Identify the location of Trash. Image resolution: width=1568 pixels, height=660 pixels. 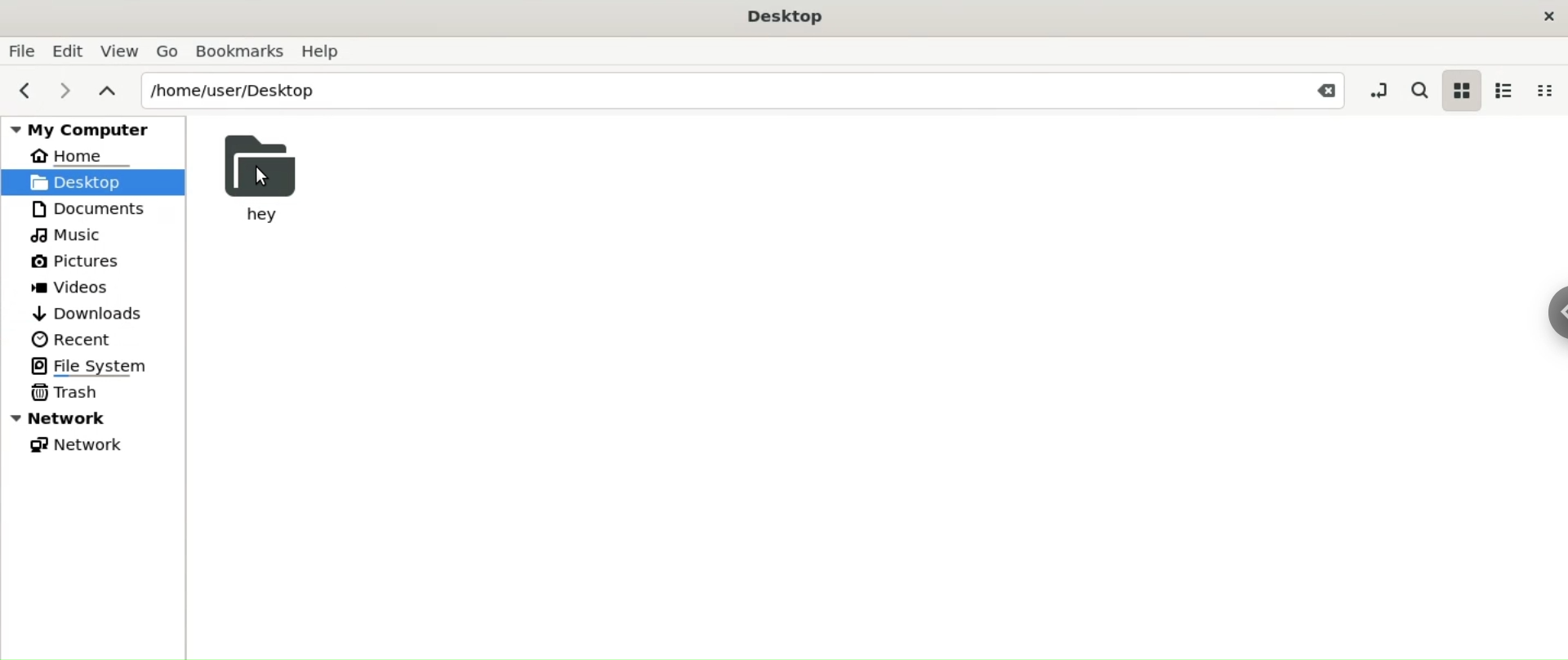
(67, 392).